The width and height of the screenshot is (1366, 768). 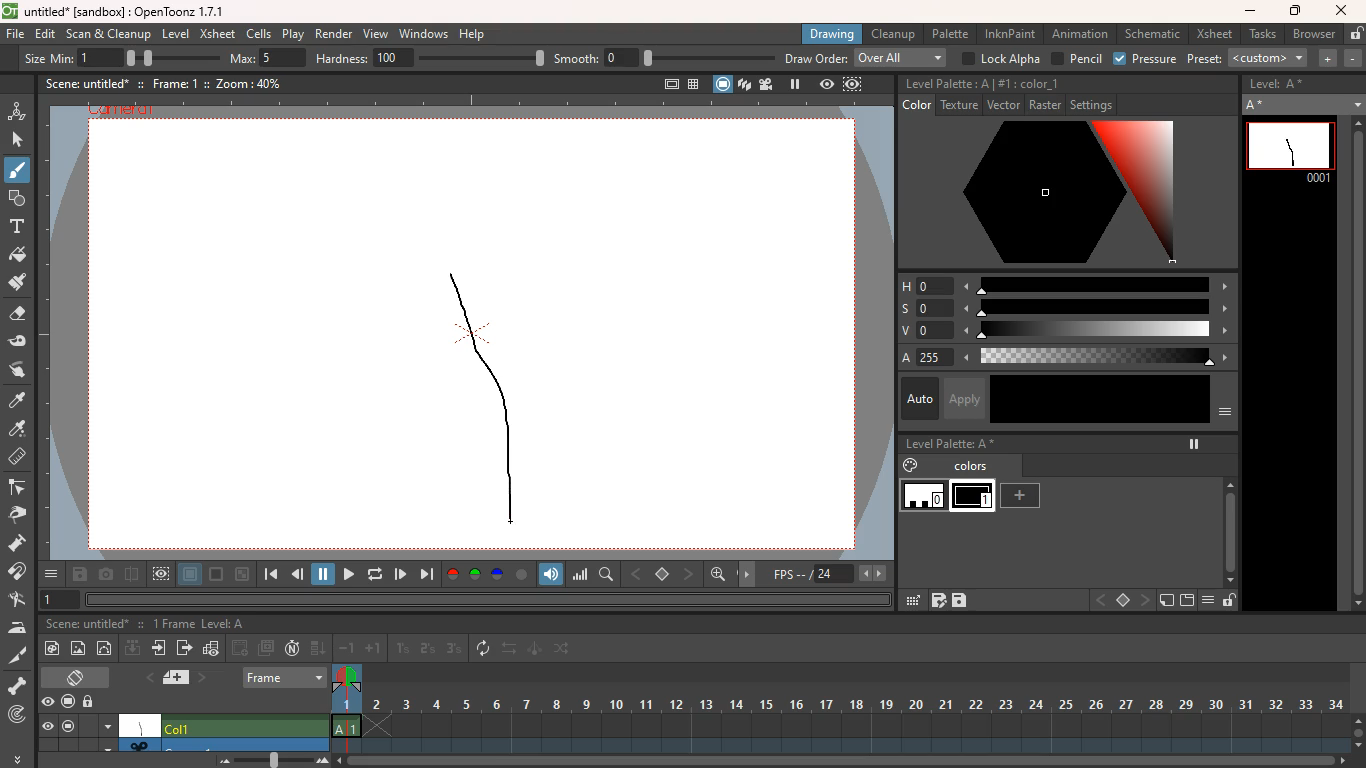 I want to click on pump, so click(x=23, y=544).